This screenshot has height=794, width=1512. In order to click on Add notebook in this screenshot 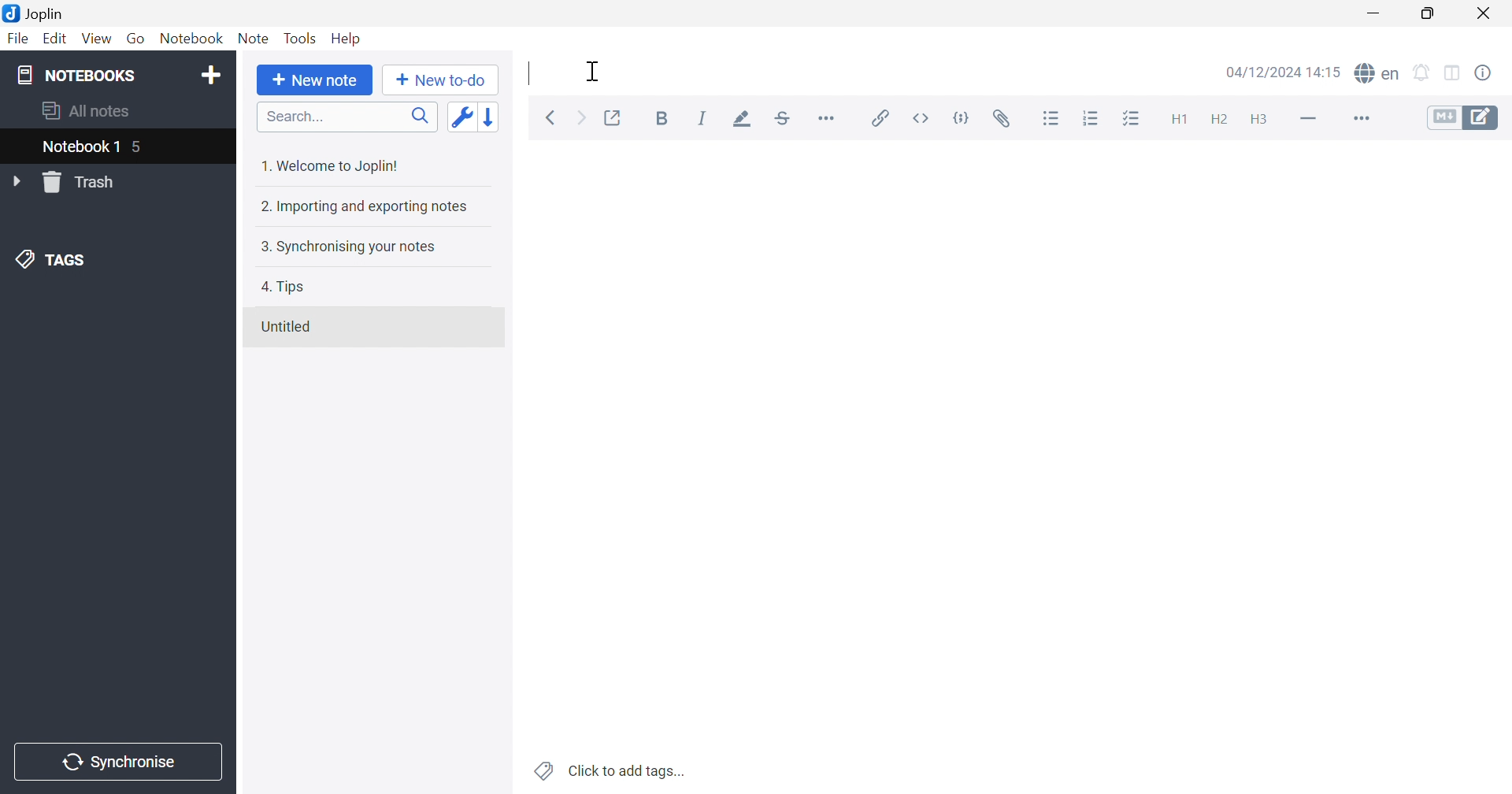, I will do `click(211, 77)`.